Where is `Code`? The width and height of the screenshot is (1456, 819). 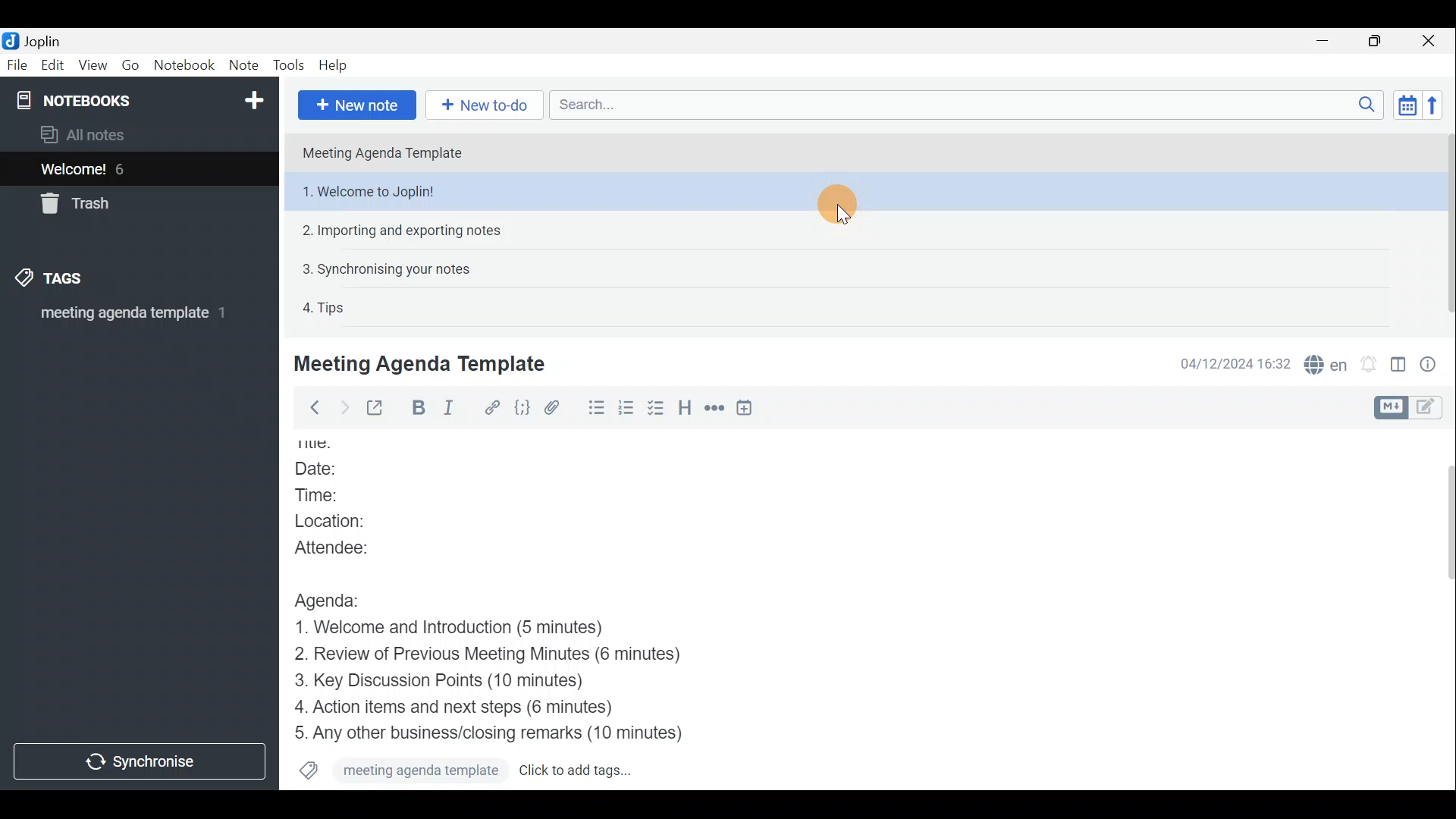 Code is located at coordinates (522, 410).